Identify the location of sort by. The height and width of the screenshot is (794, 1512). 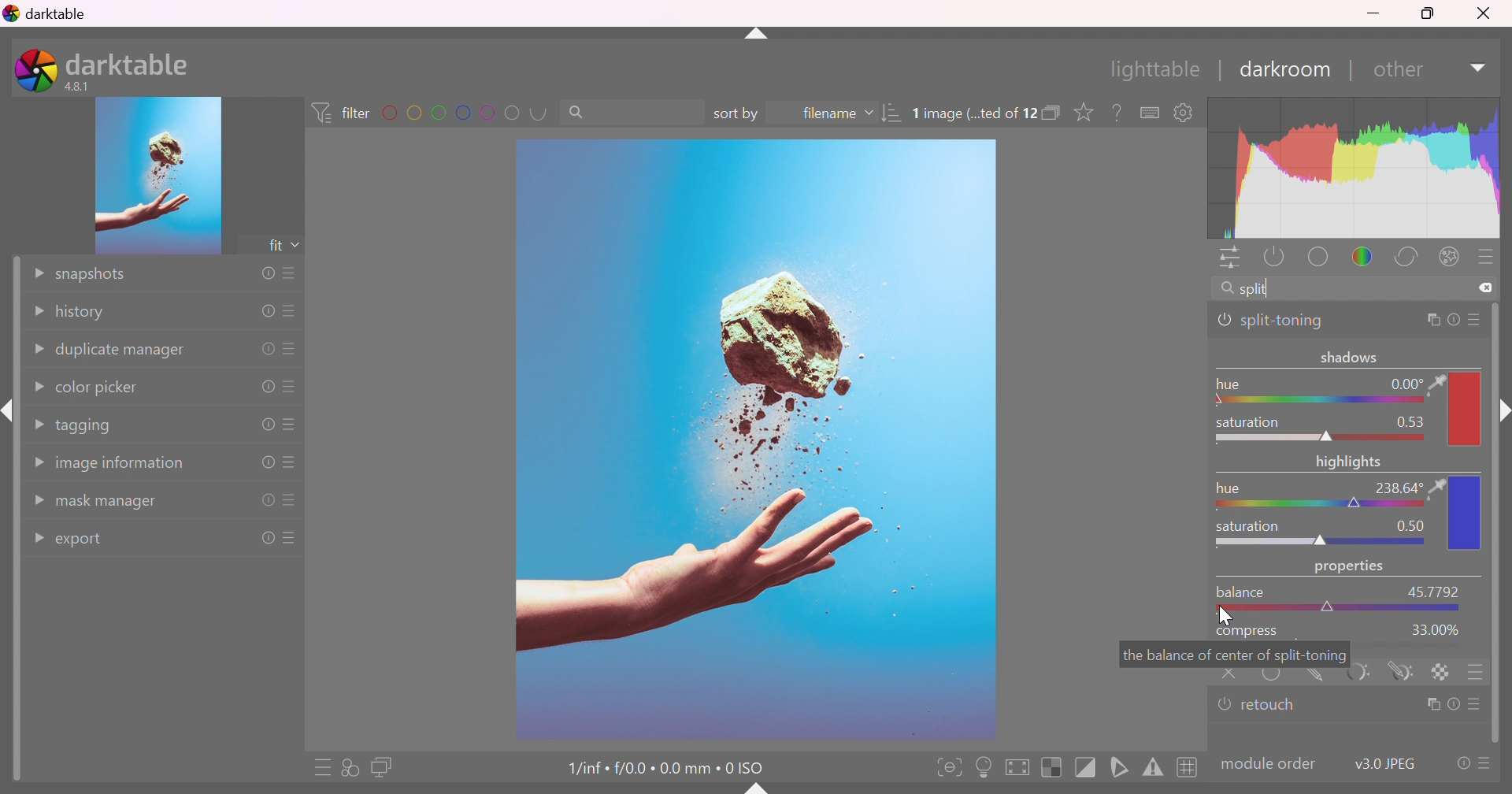
(736, 114).